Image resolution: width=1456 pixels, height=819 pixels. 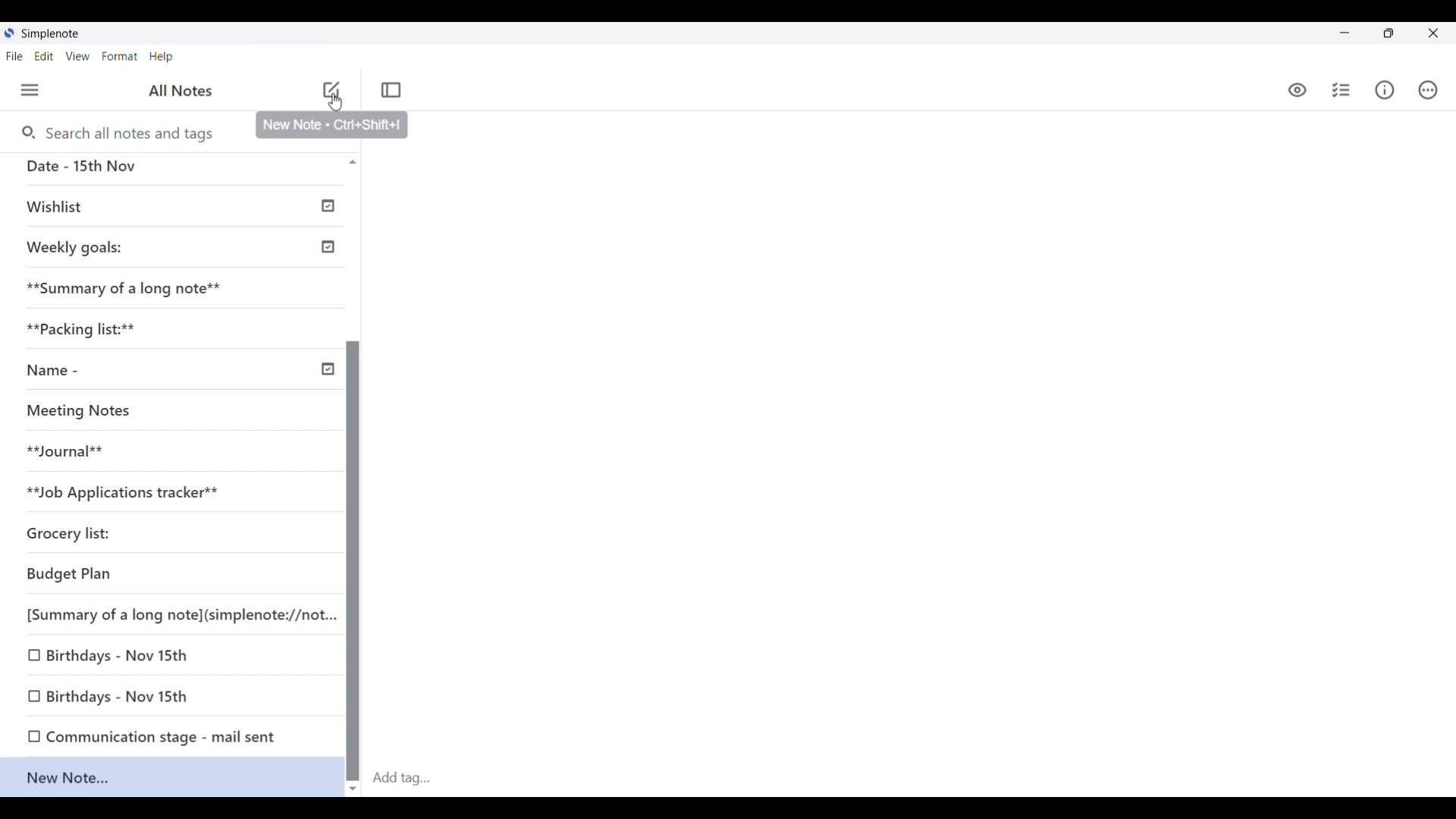 I want to click on Birthdays - Nov 15th, so click(x=126, y=698).